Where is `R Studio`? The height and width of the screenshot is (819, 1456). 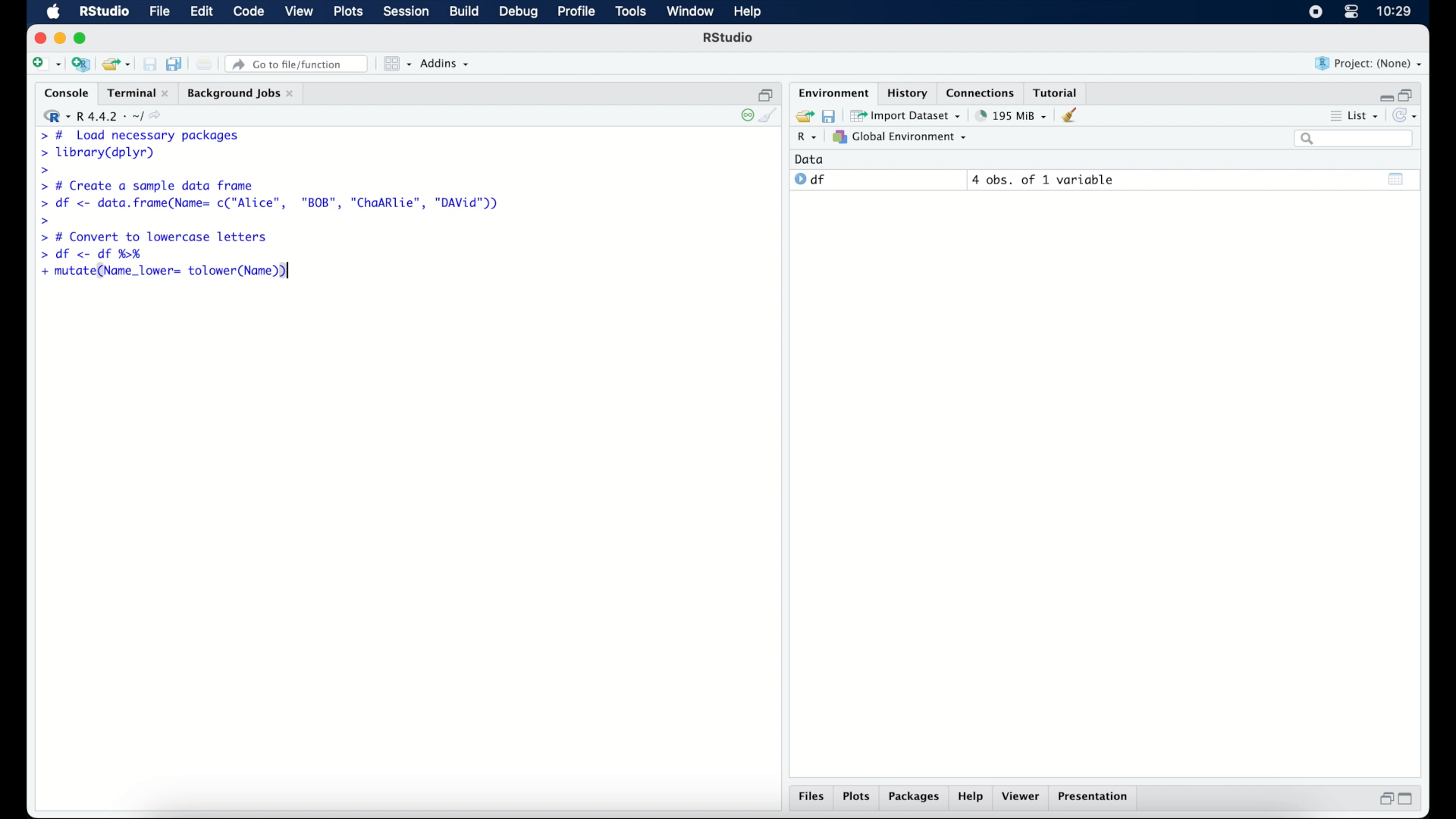
R Studio is located at coordinates (730, 39).